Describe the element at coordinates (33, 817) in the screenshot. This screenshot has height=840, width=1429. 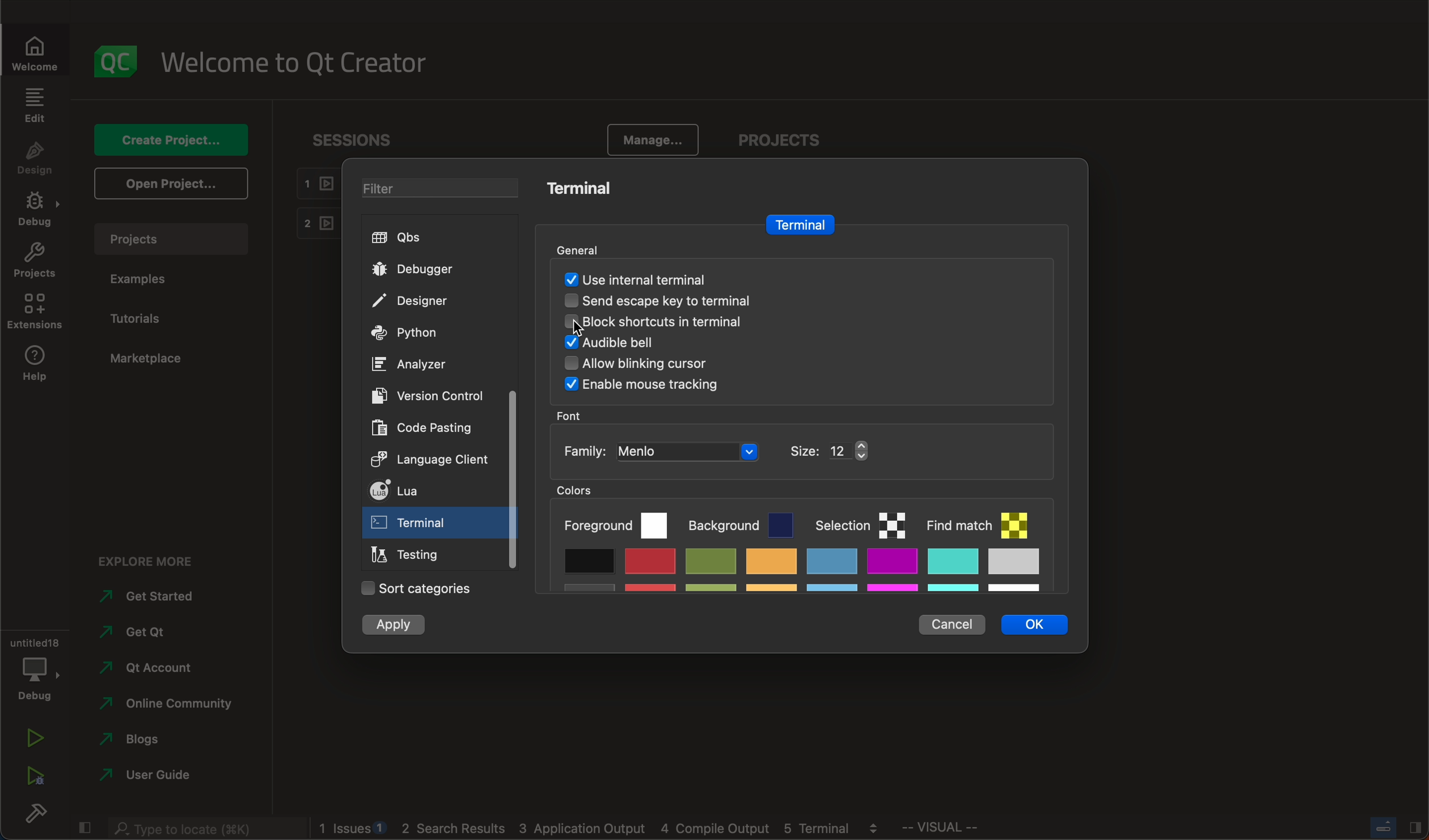
I see `build` at that location.